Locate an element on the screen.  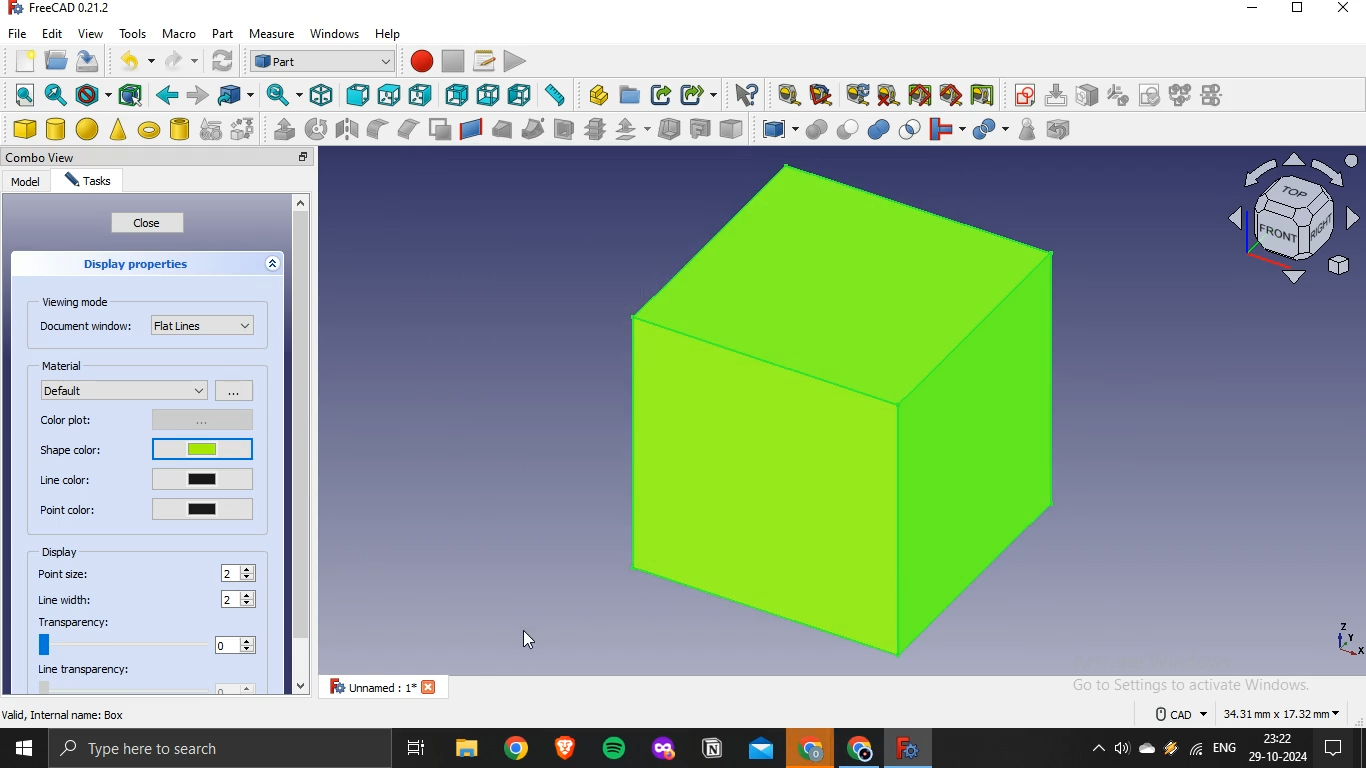
freecad is located at coordinates (905, 748).